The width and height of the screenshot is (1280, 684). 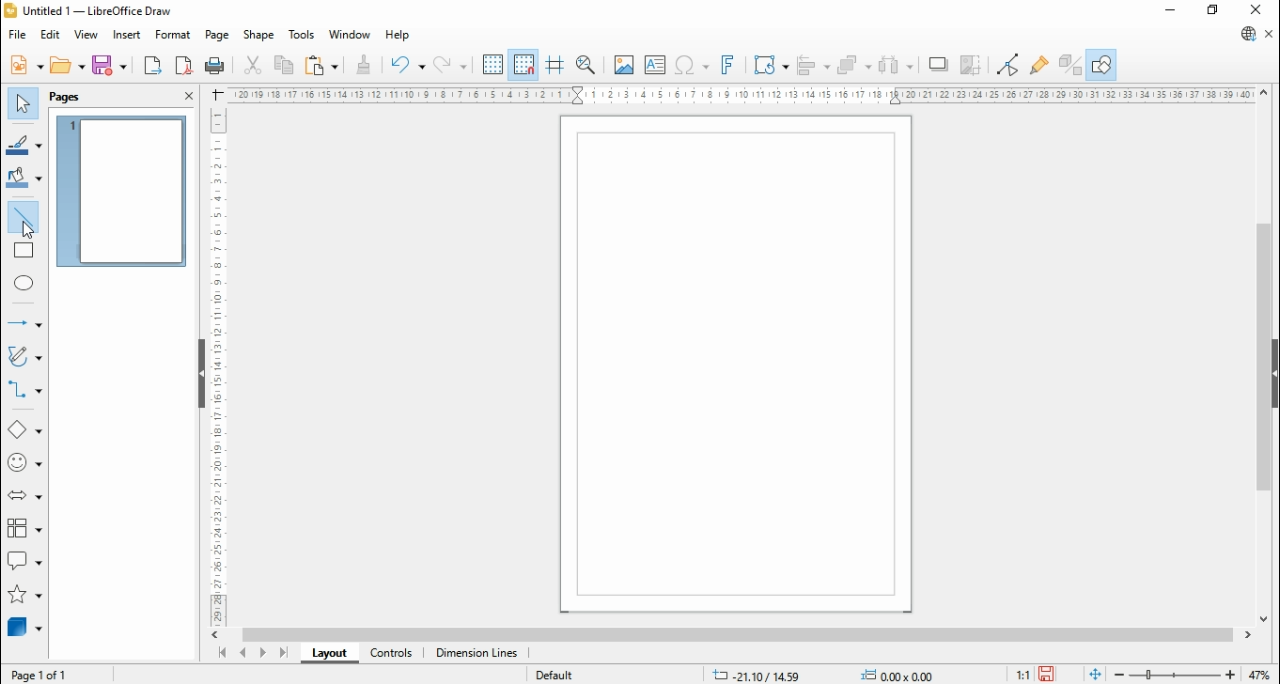 What do you see at coordinates (525, 63) in the screenshot?
I see `snap to grids` at bounding box center [525, 63].